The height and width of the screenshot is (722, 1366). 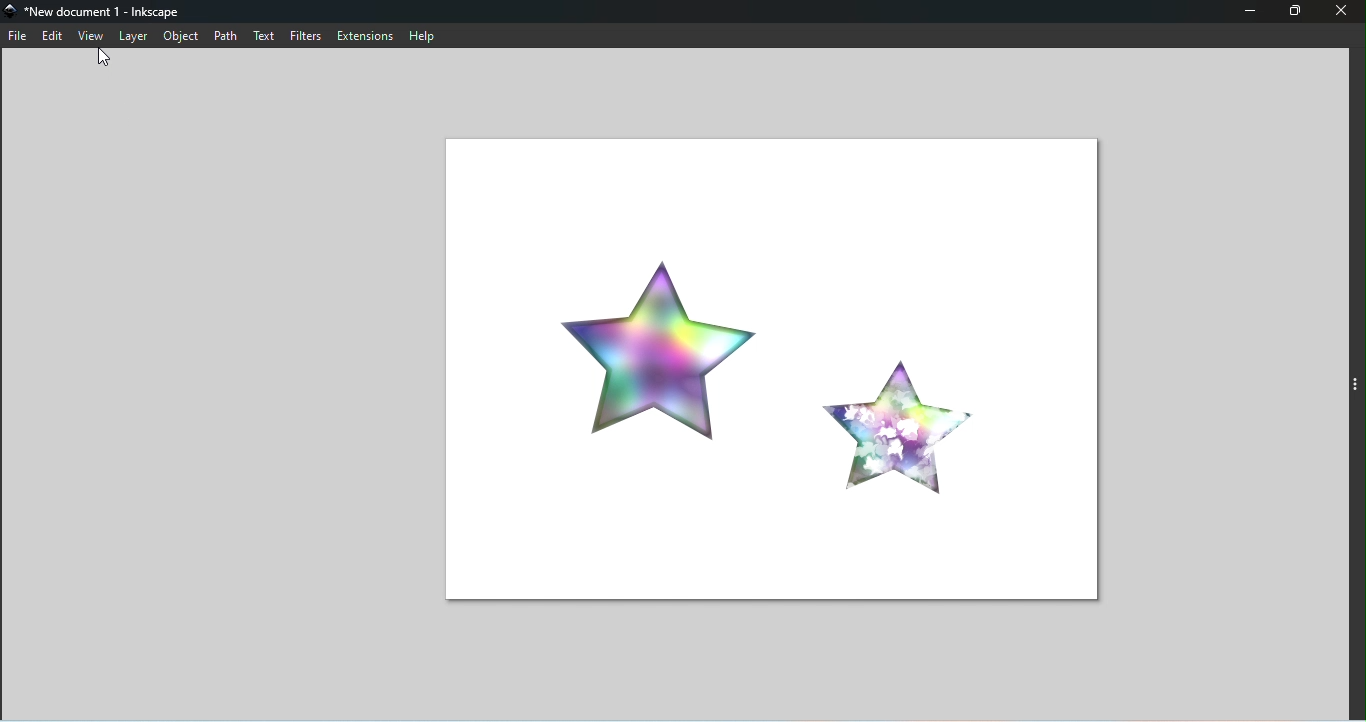 What do you see at coordinates (1300, 13) in the screenshot?
I see `Maximize` at bounding box center [1300, 13].